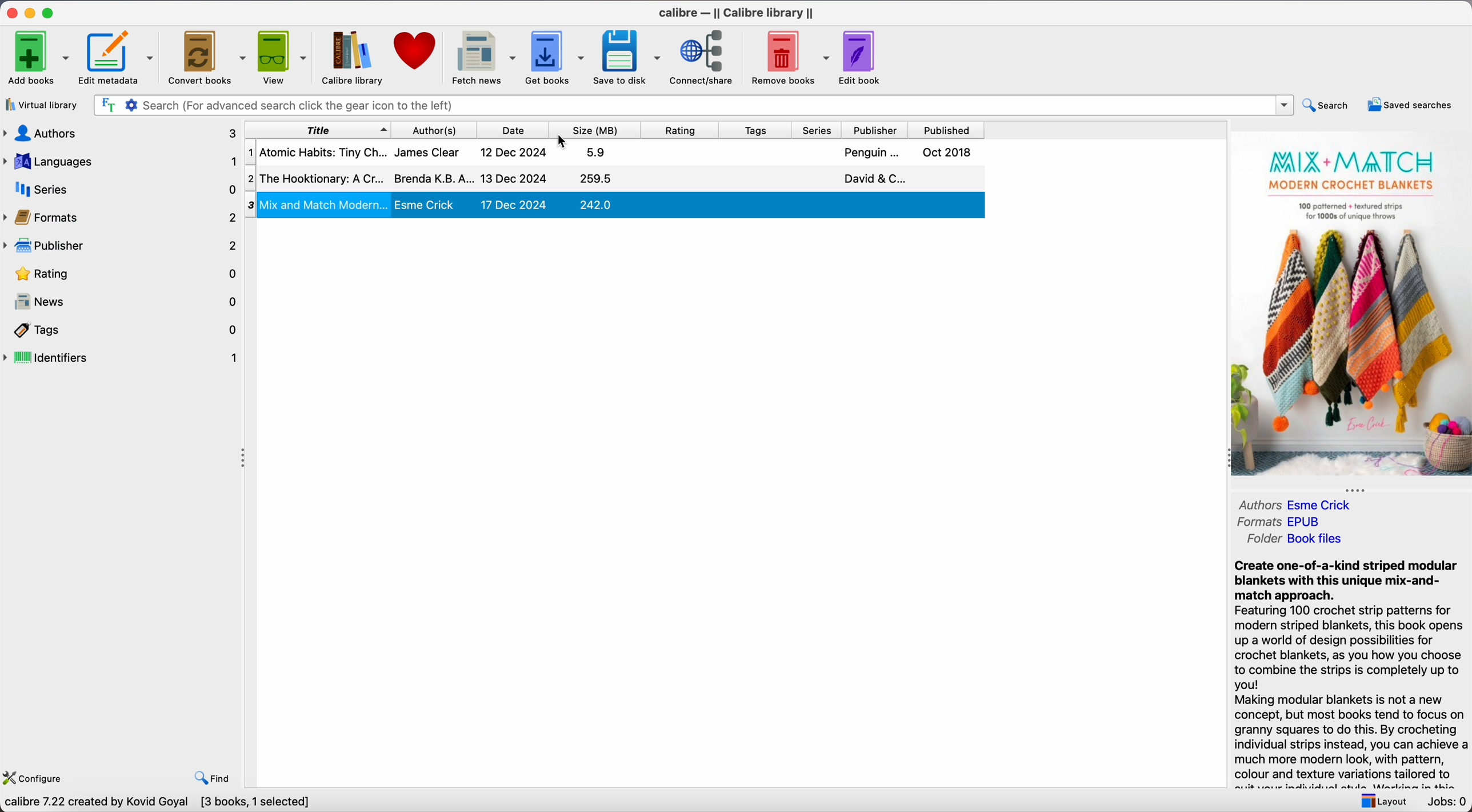 This screenshot has height=812, width=1472. Describe the element at coordinates (819, 130) in the screenshot. I see `series` at that location.